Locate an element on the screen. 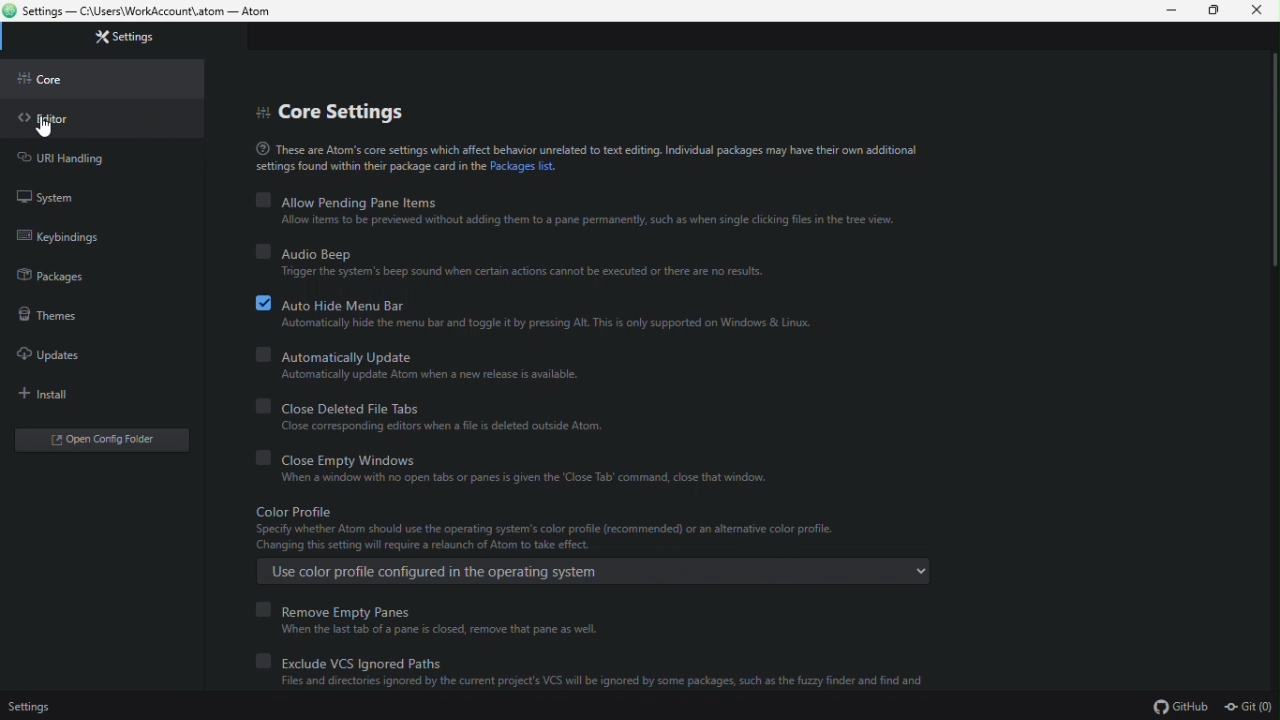 The width and height of the screenshot is (1280, 720). off is located at coordinates (260, 456).